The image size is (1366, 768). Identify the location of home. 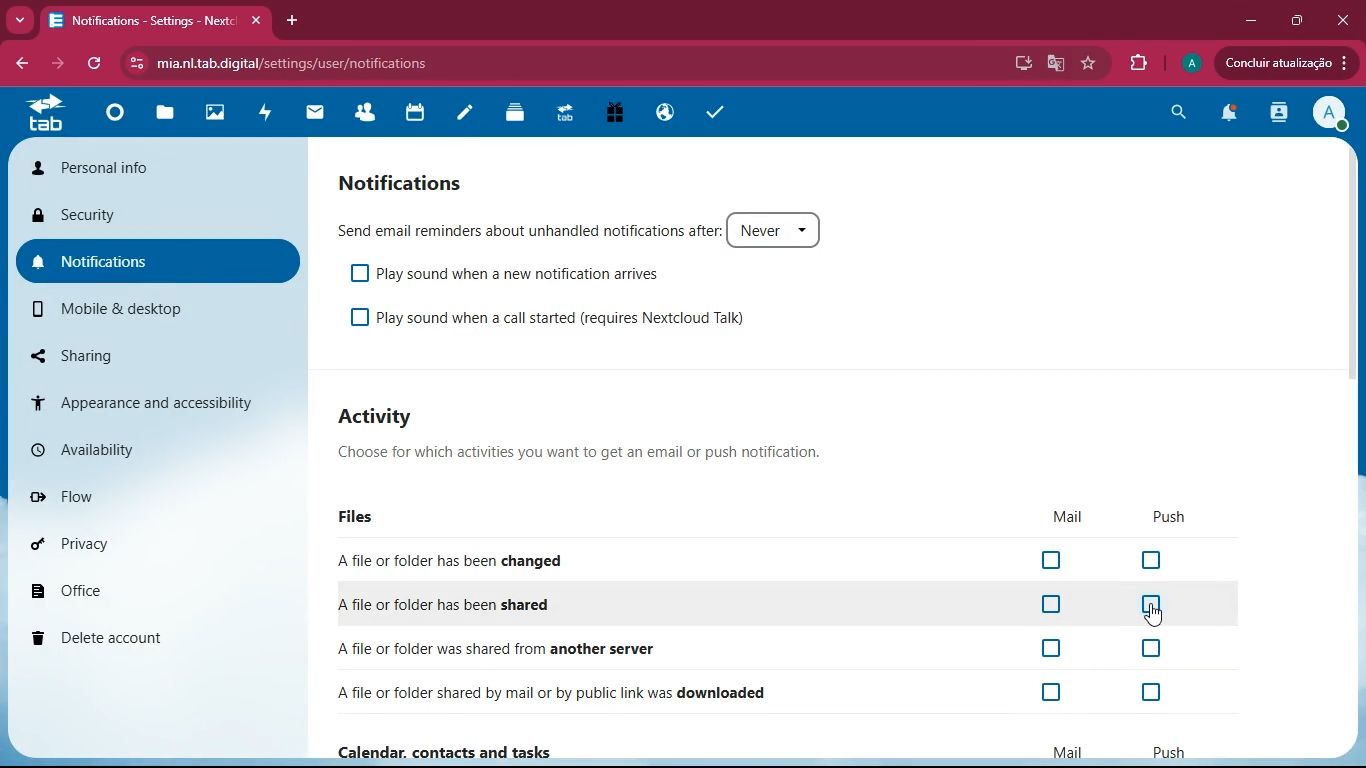
(110, 118).